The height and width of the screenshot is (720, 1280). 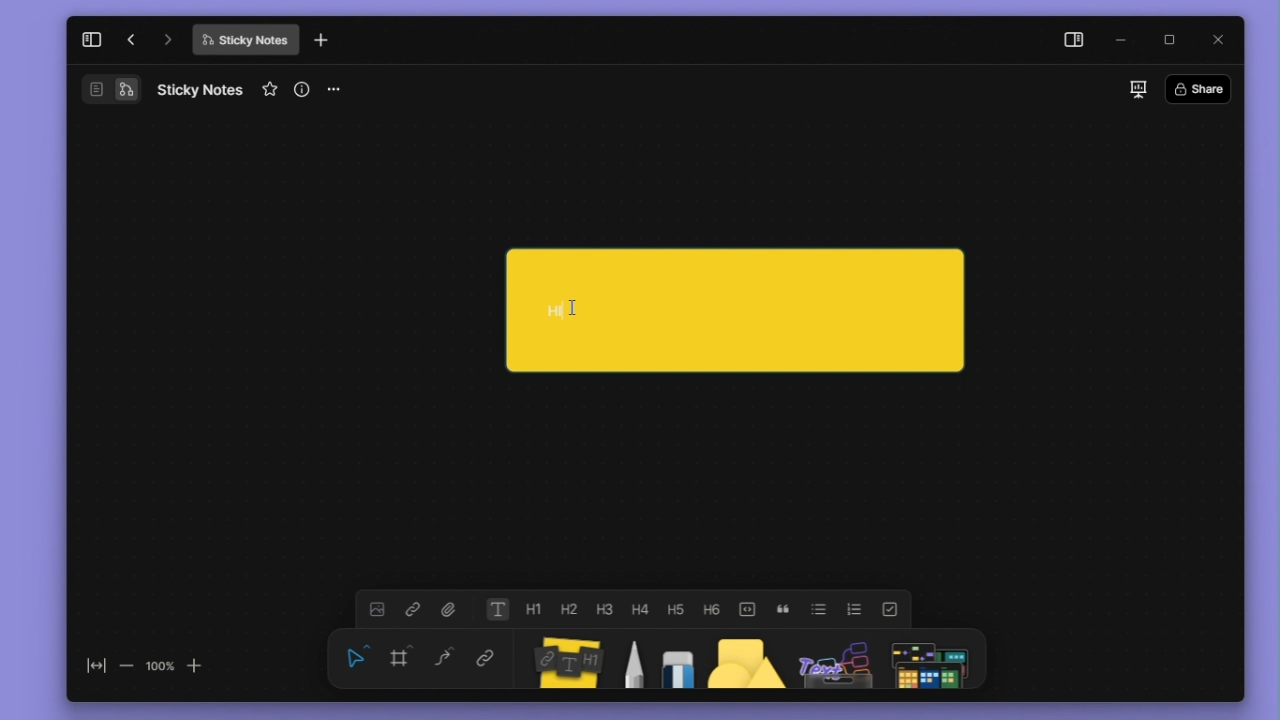 What do you see at coordinates (201, 665) in the screenshot?
I see `zoom in` at bounding box center [201, 665].